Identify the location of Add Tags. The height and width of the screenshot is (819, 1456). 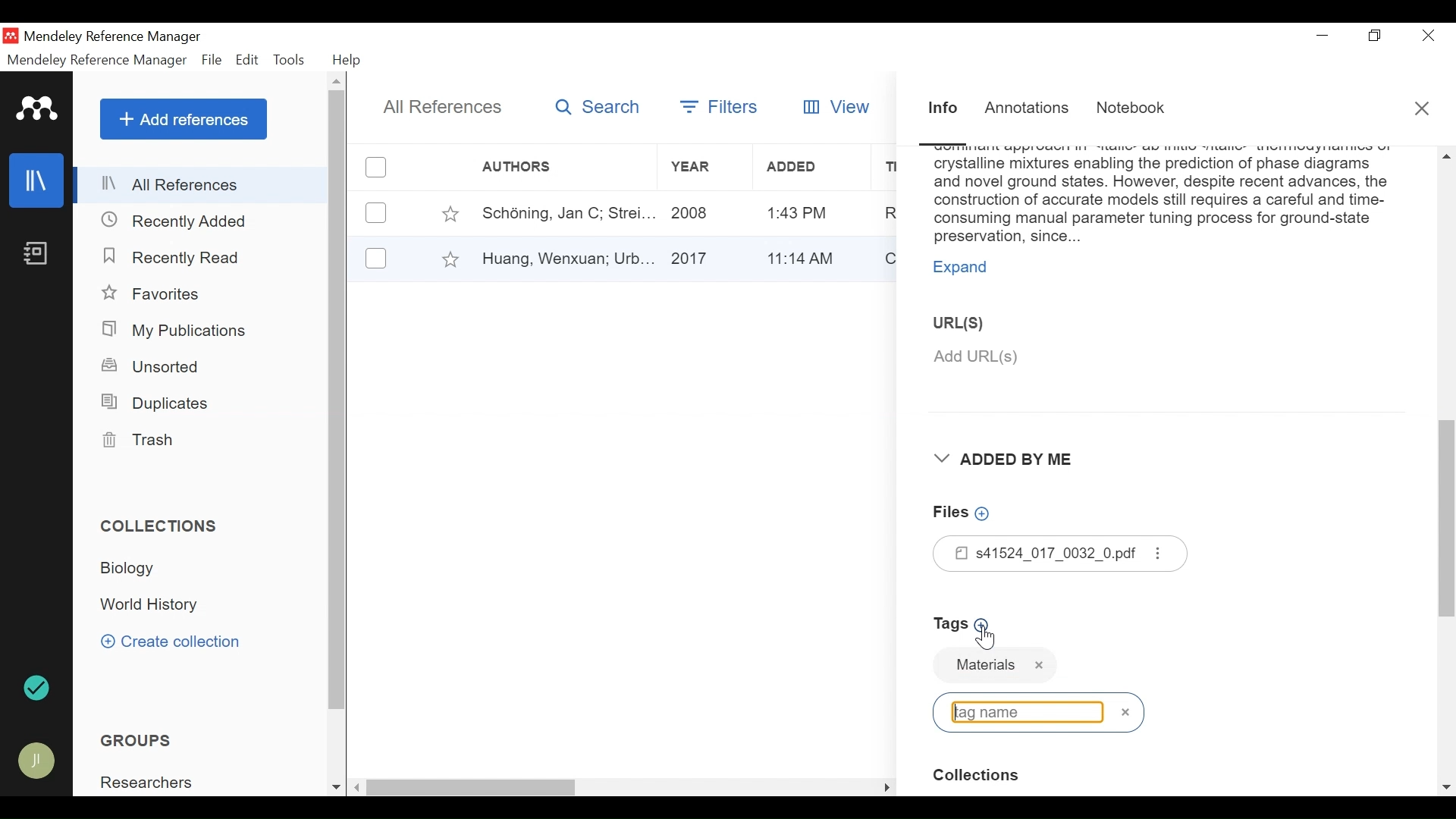
(966, 625).